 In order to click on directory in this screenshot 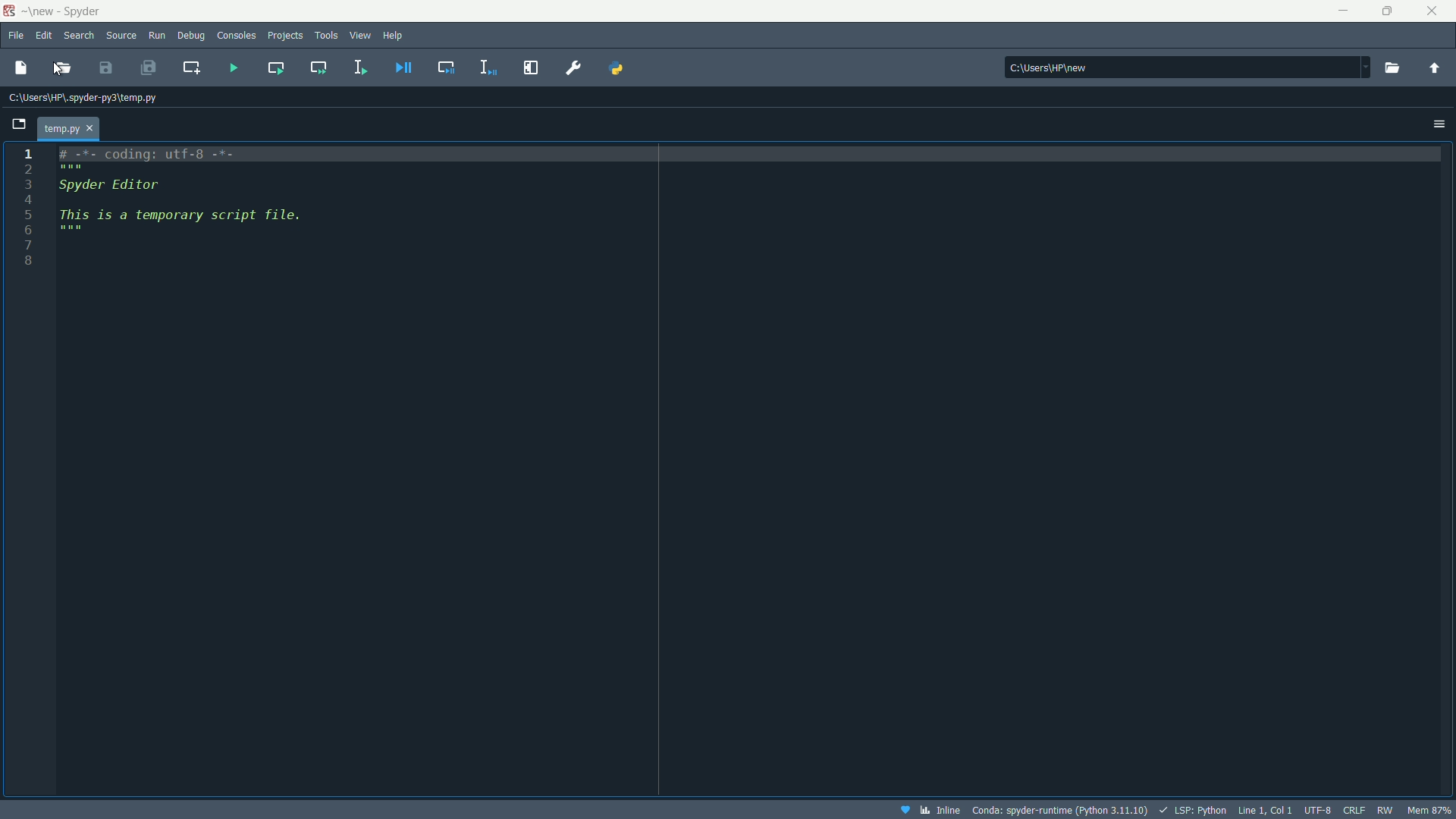, I will do `click(1188, 67)`.